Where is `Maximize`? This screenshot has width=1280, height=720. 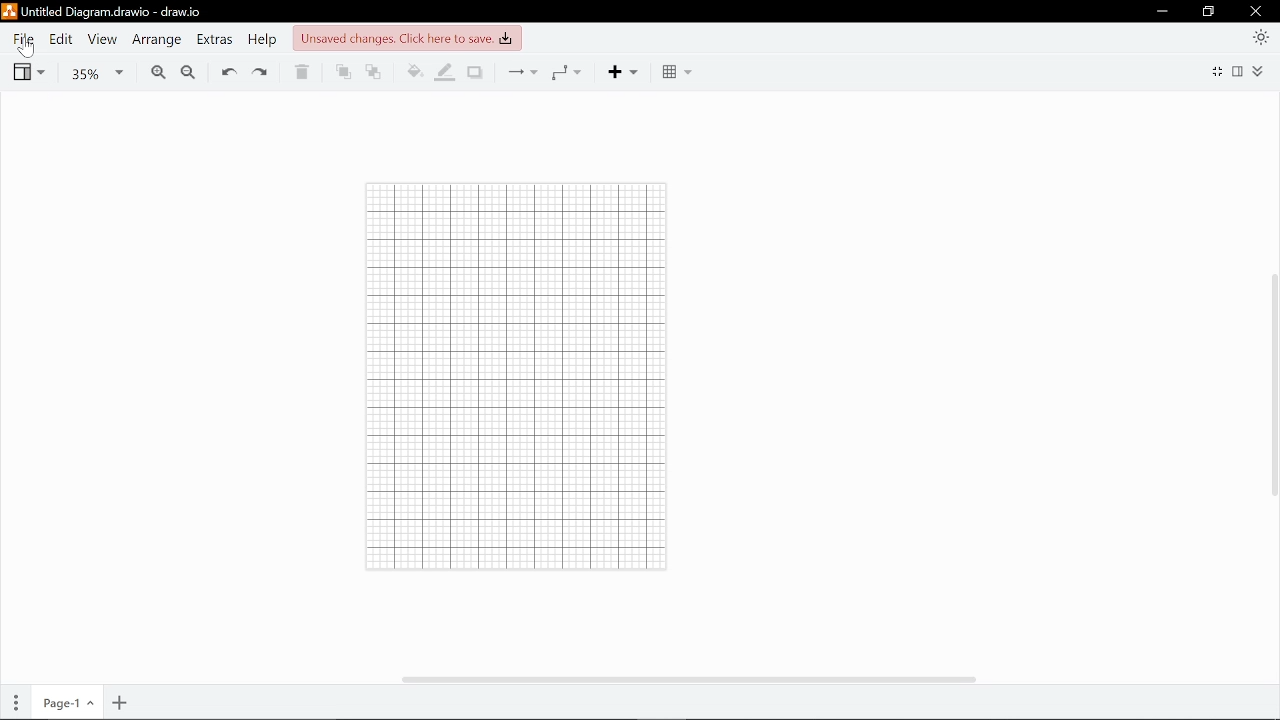
Maximize is located at coordinates (1206, 11).